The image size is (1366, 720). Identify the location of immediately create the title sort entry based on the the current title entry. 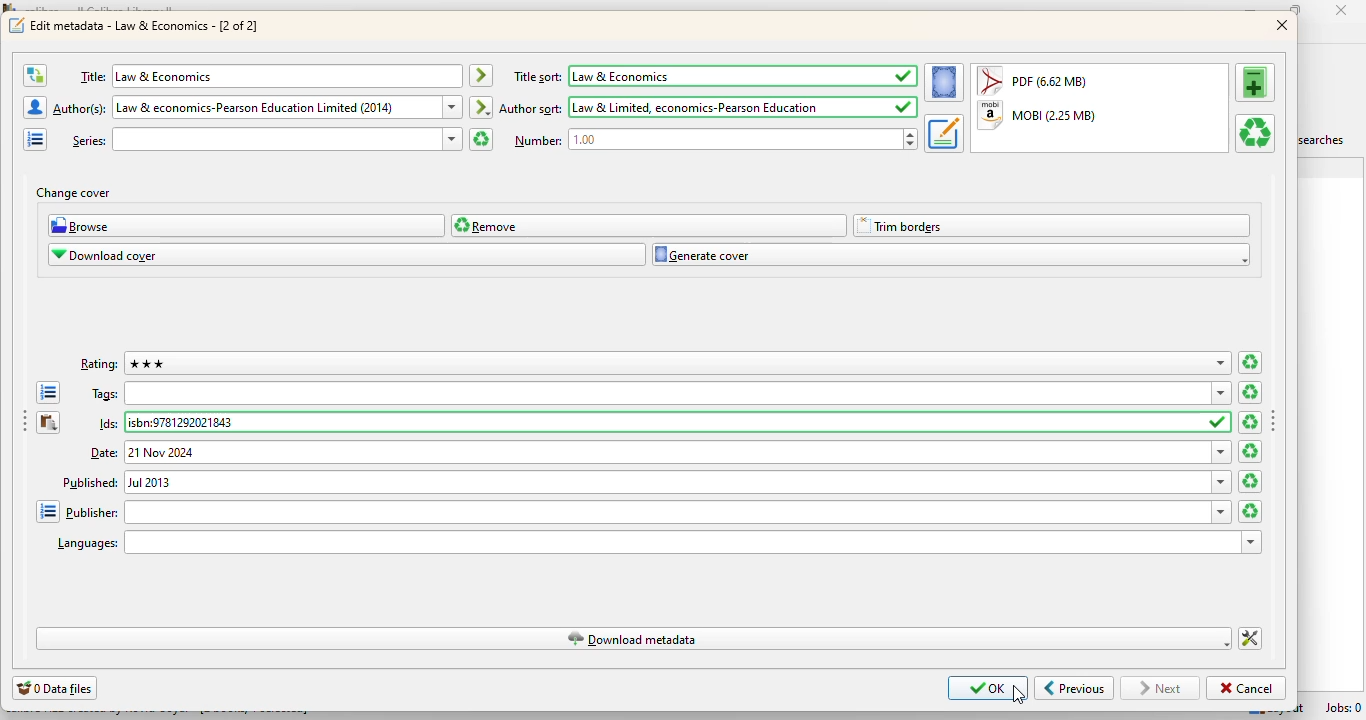
(481, 76).